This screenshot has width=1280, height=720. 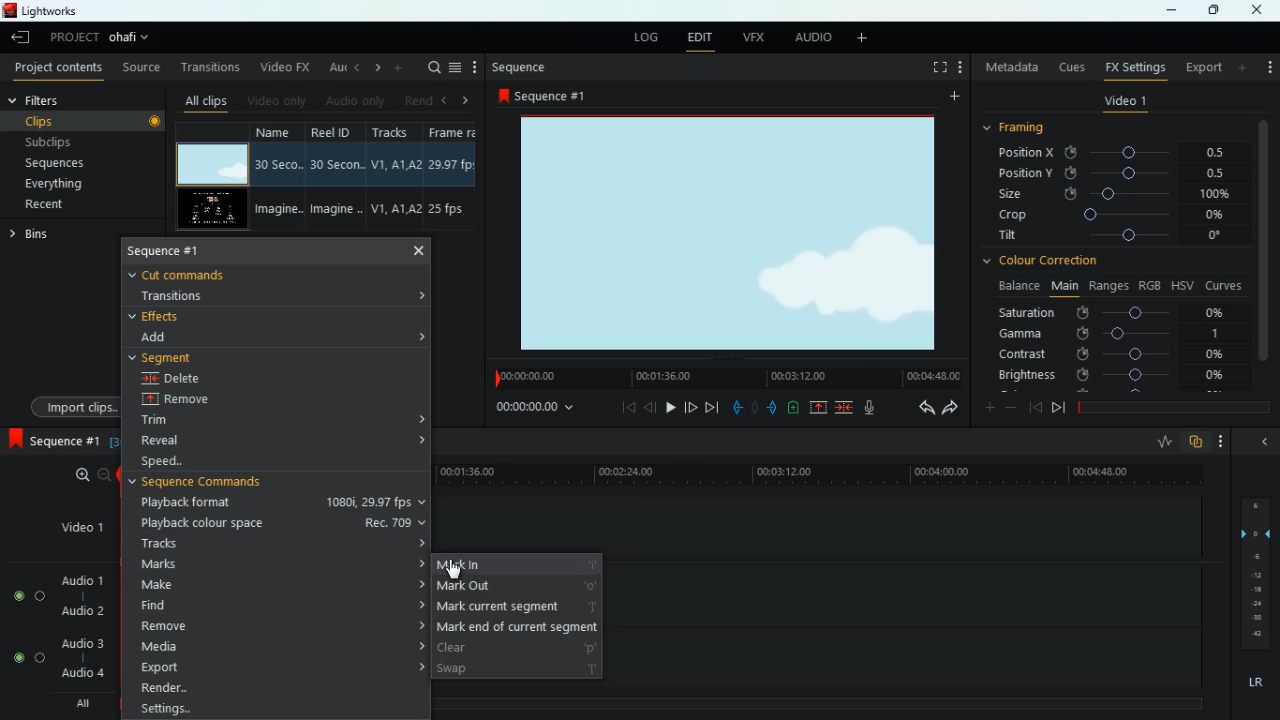 What do you see at coordinates (1049, 262) in the screenshot?
I see `colour correction` at bounding box center [1049, 262].